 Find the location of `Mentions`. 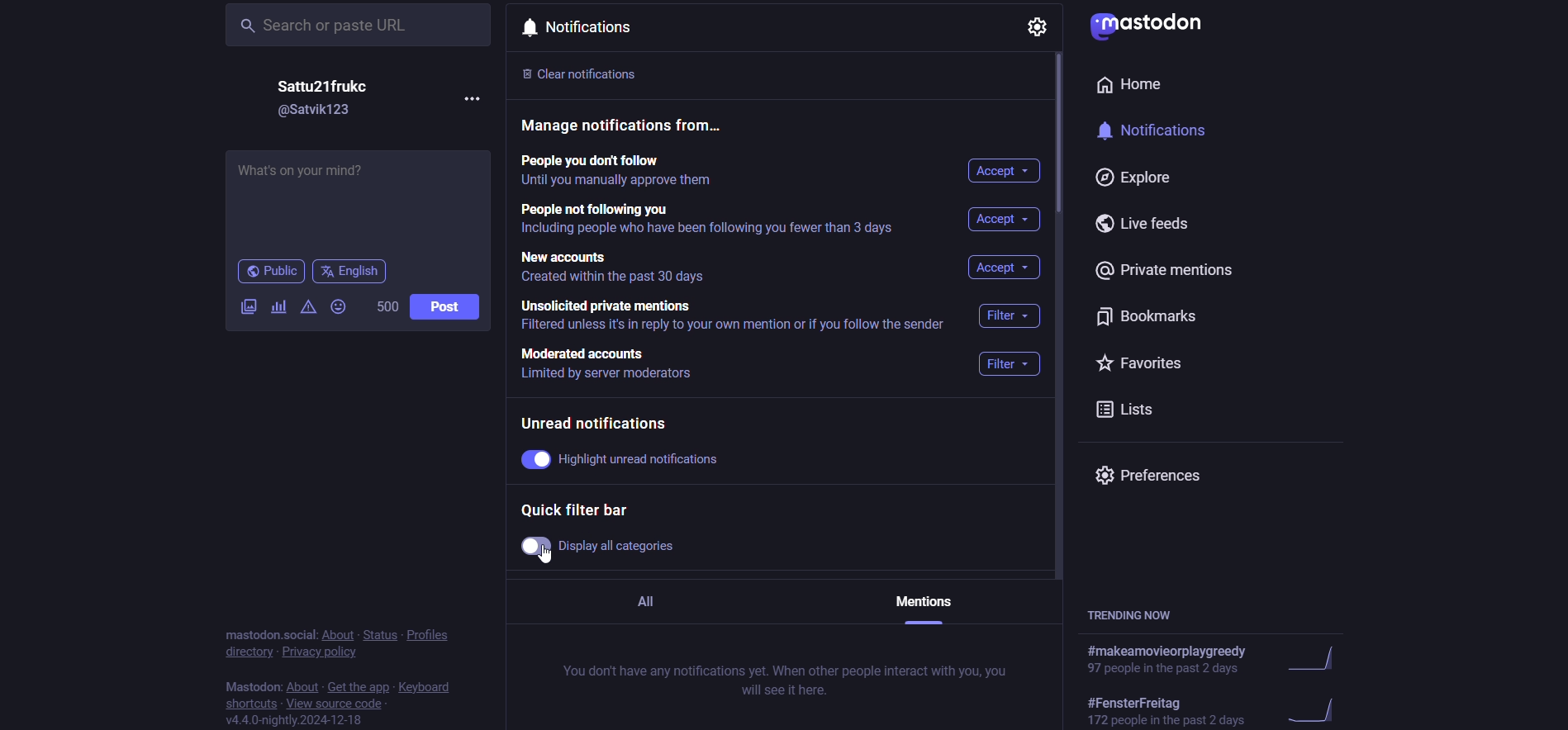

Mentions is located at coordinates (923, 608).